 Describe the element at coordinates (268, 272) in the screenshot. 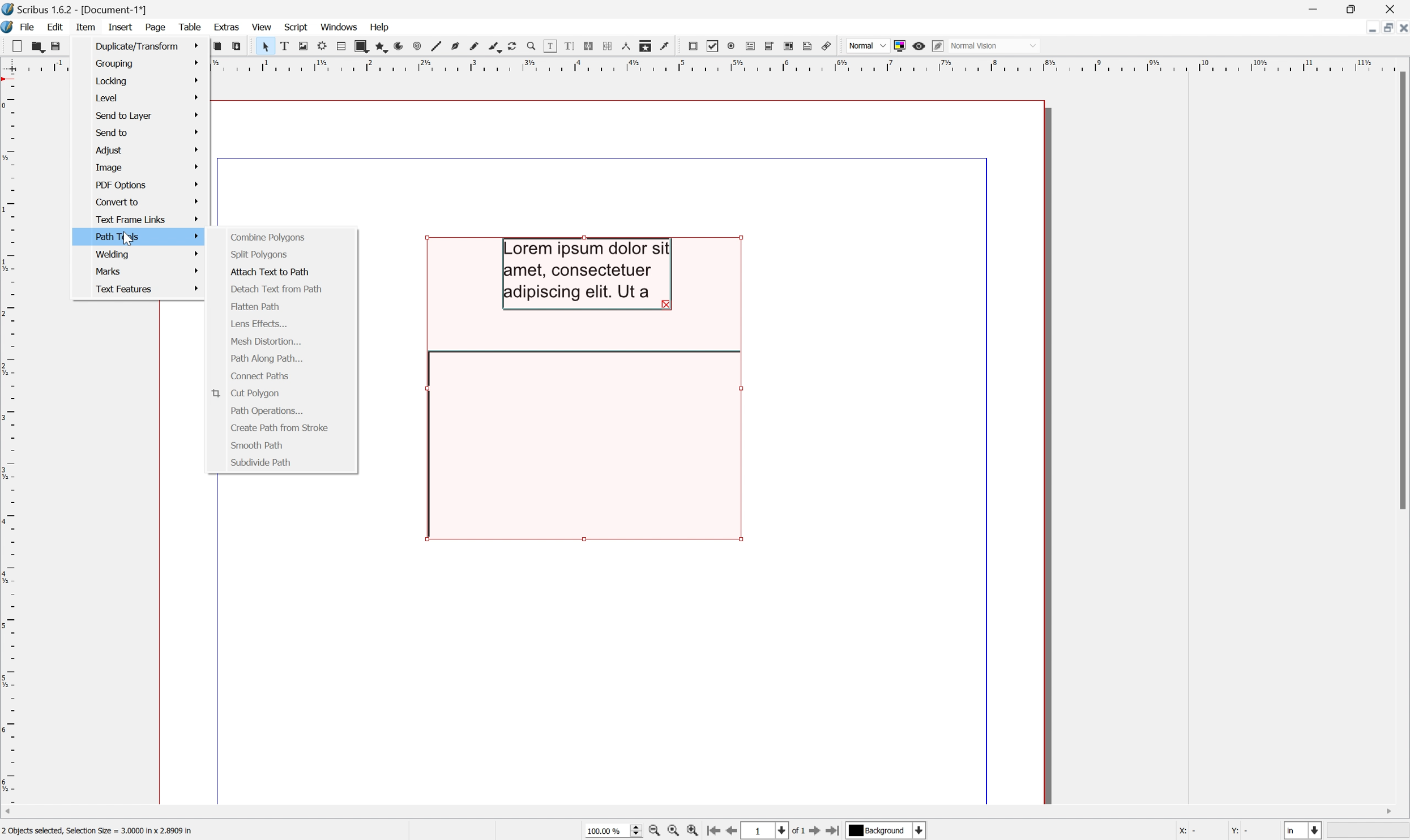

I see `Attach to path` at that location.